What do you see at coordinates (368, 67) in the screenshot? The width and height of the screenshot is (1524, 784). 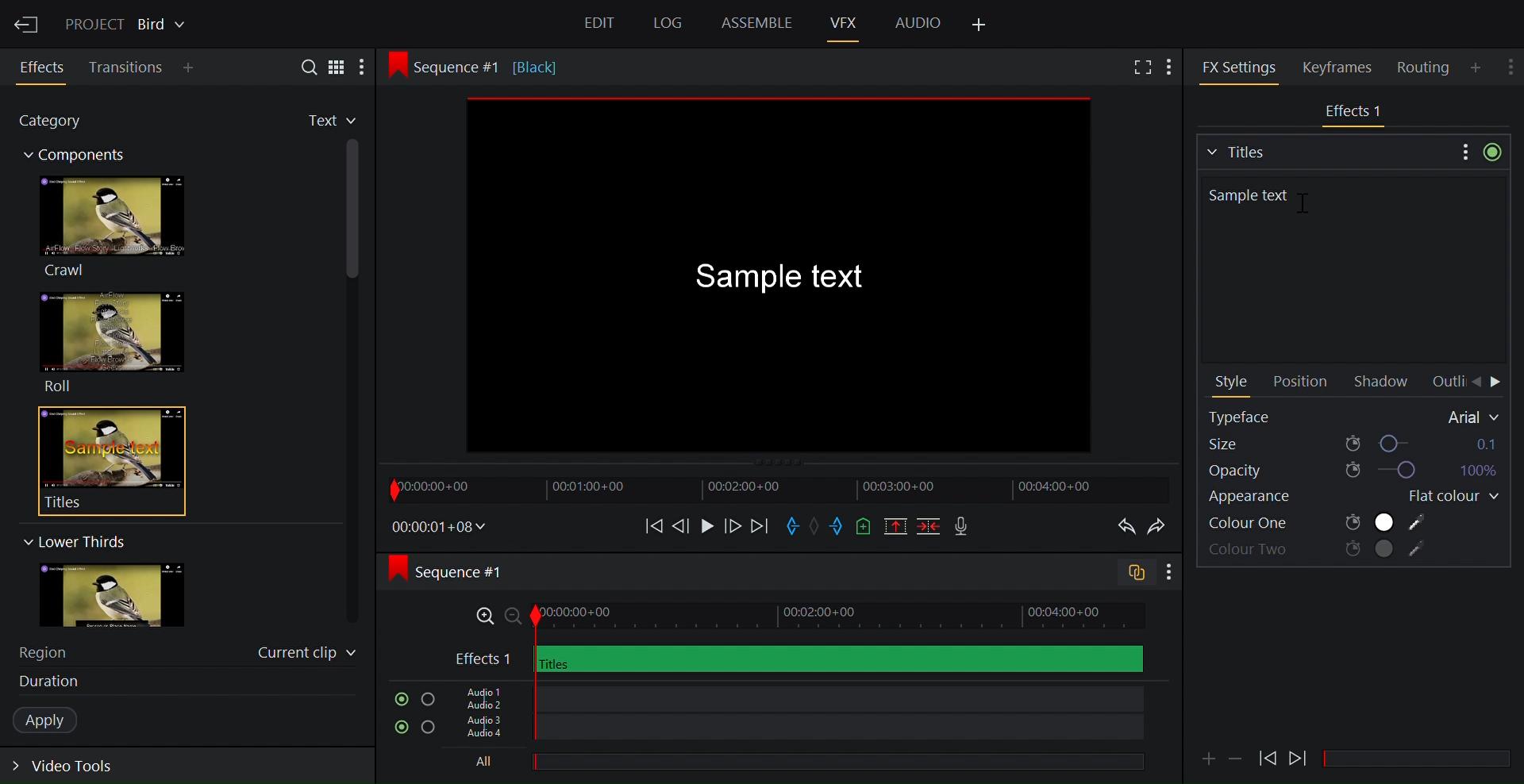 I see `More` at bounding box center [368, 67].